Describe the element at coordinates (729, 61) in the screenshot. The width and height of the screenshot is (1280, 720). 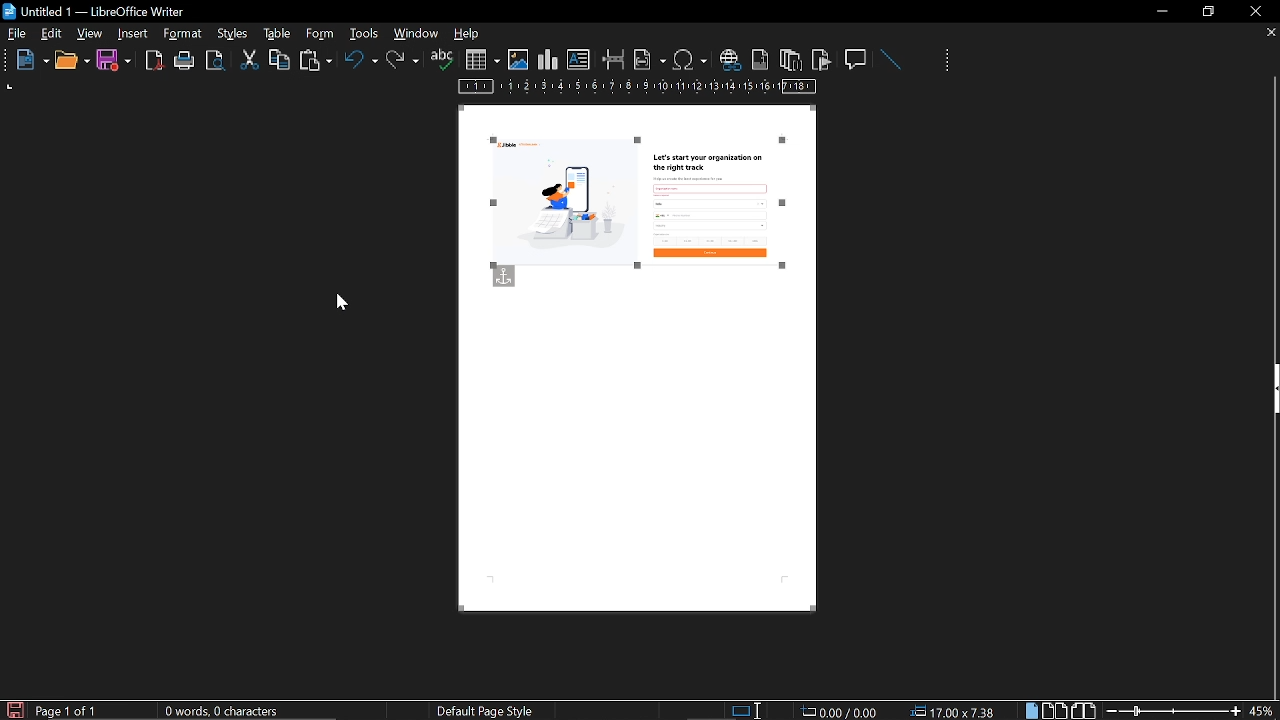
I see `insert hyperlink` at that location.